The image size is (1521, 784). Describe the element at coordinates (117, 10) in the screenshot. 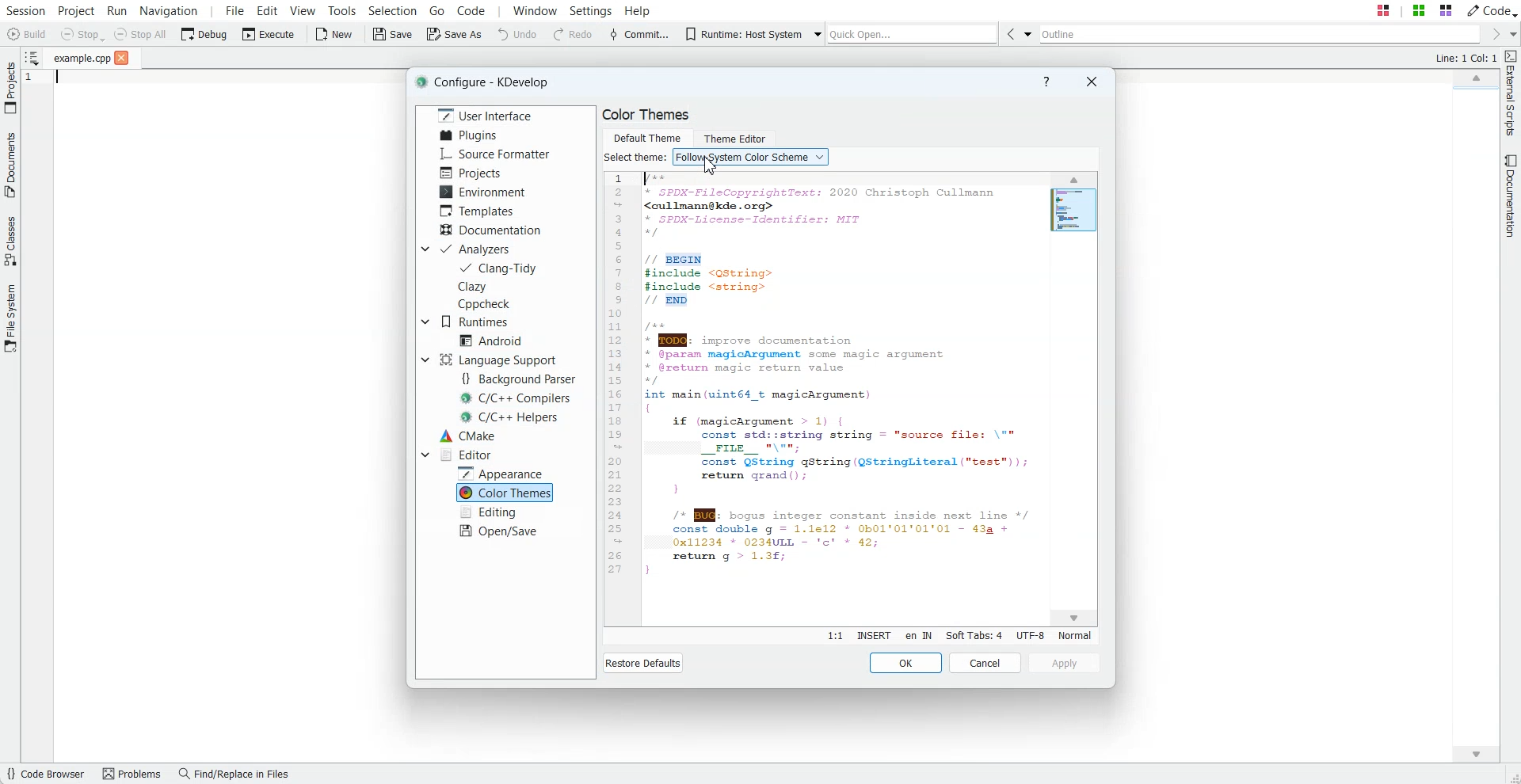

I see `Run` at that location.